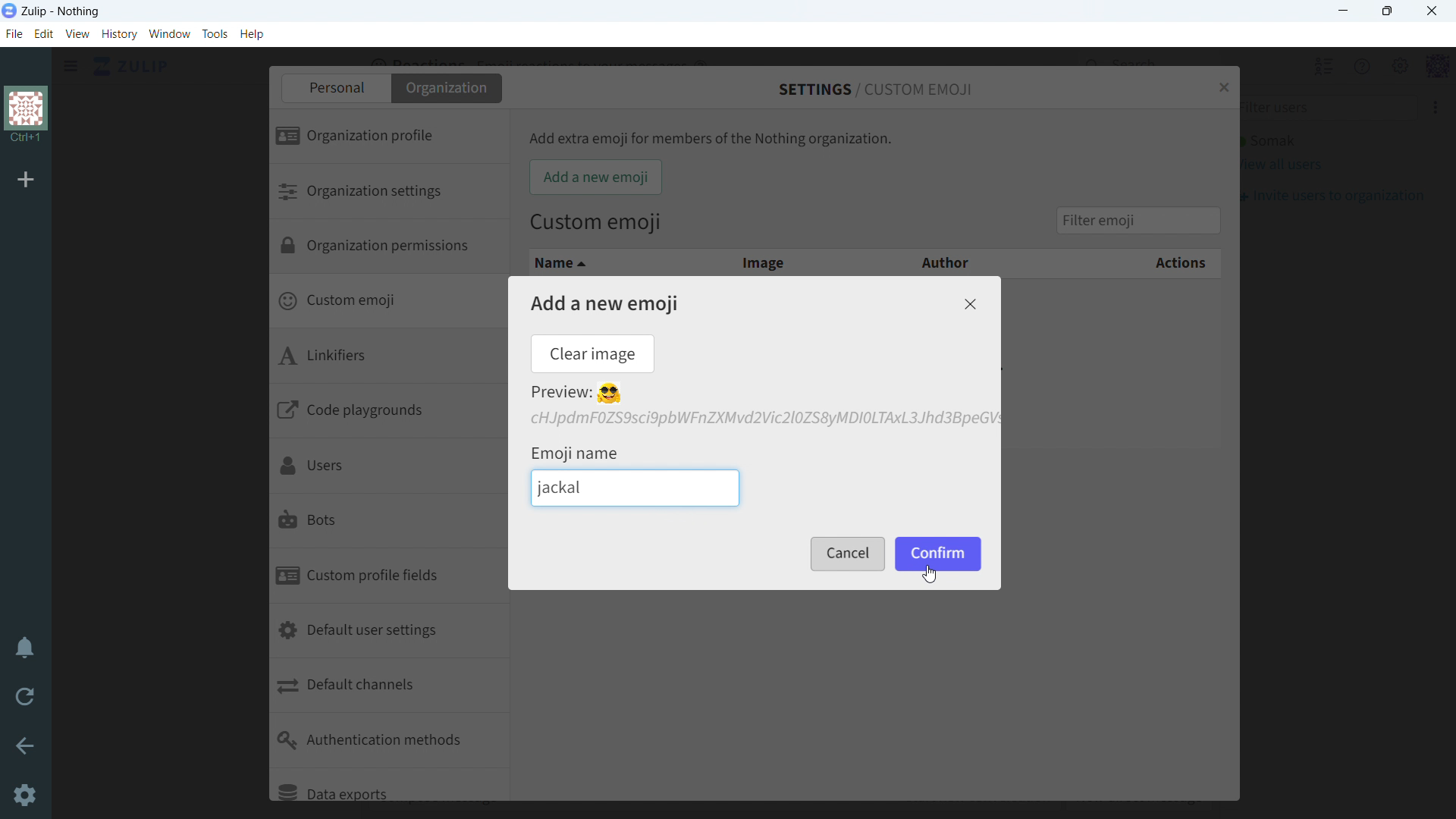  I want to click on settings, so click(23, 795).